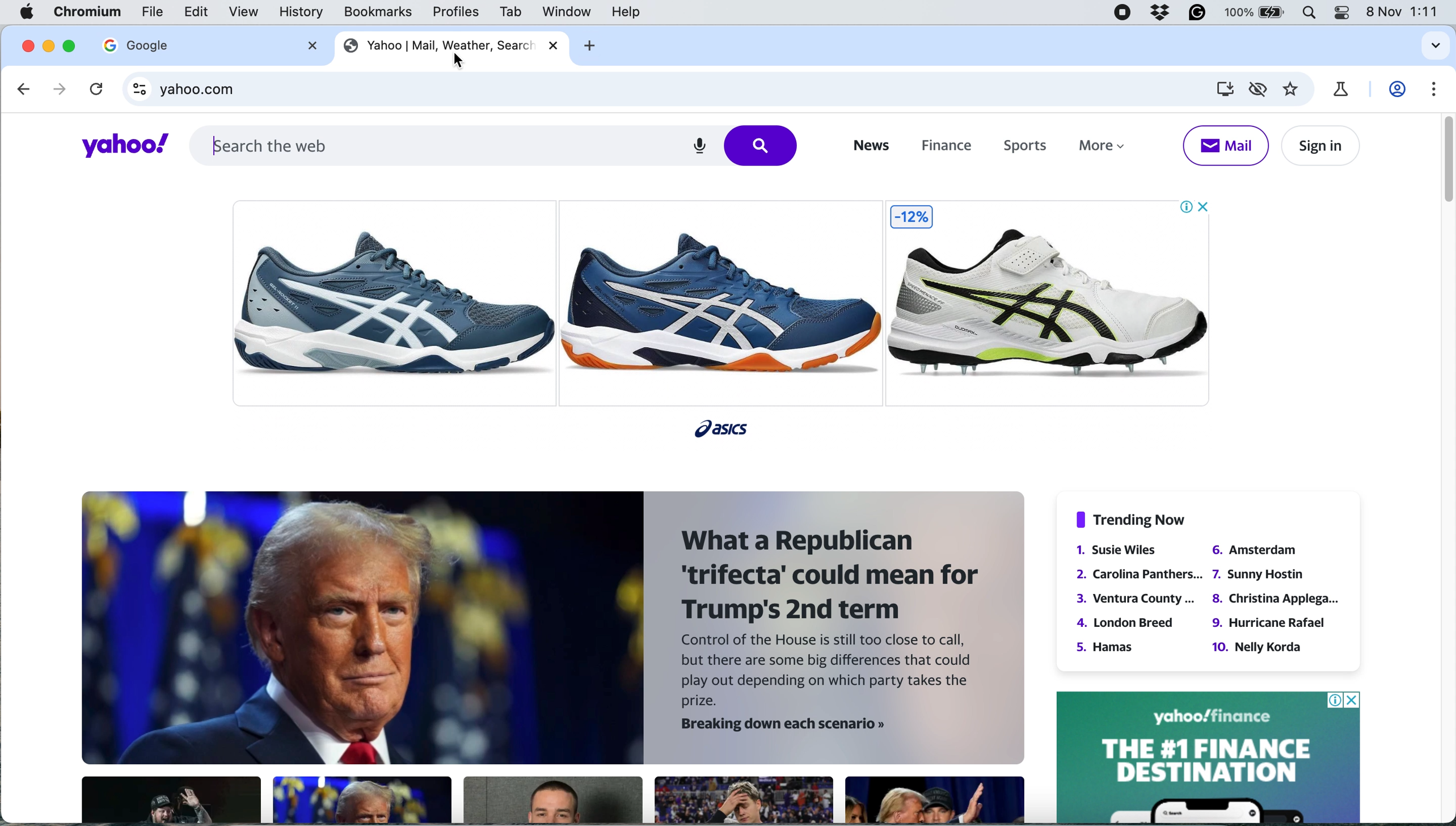 The width and height of the screenshot is (1456, 826). What do you see at coordinates (545, 656) in the screenshot?
I see `BB. a
| - >» 5 ZIPALA :
= 3 . What a Republican
= 5» » Ygpat 1
» a trifecta’ could mean for
| 4 ’ ¥
g » baa Trump's 2nd term
» rg AF Control of the House is still too close to call,
} te but there are some big differences that could
. A —y play out depending on which party takes the
“ k prize.
Hy. - Breaking down each scenario »` at bounding box center [545, 656].